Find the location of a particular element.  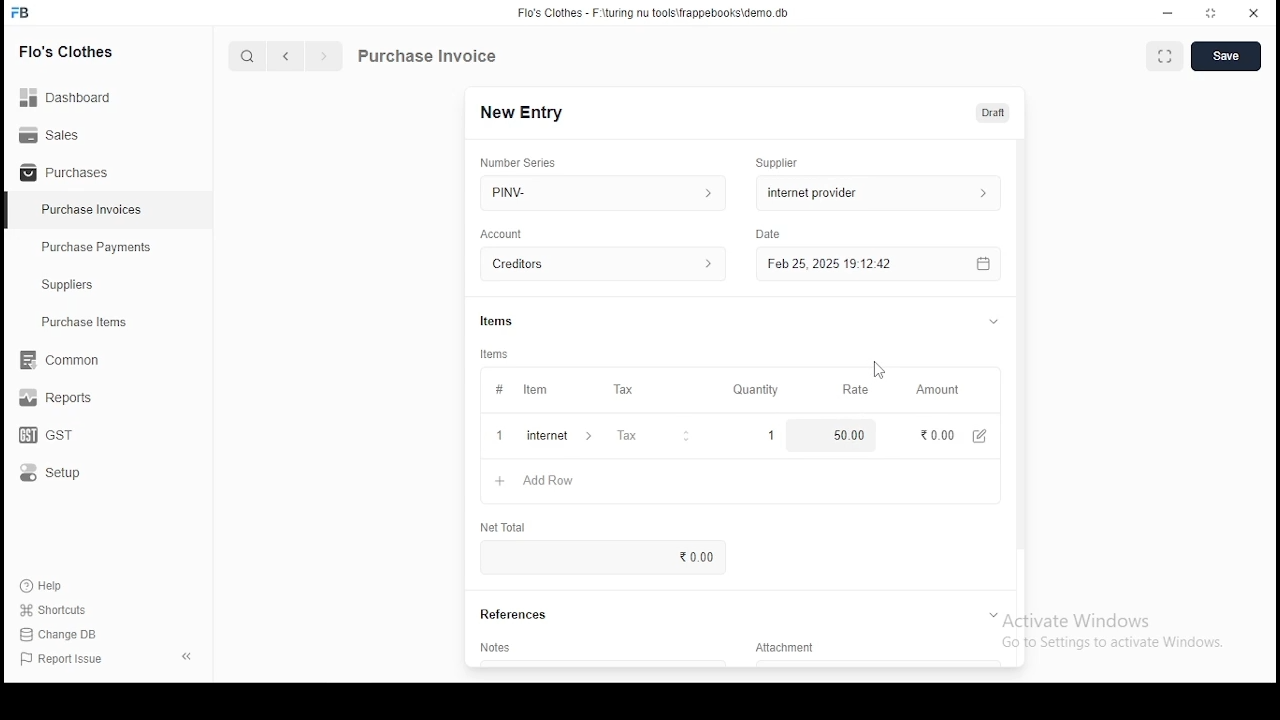

Attachment is located at coordinates (788, 651).